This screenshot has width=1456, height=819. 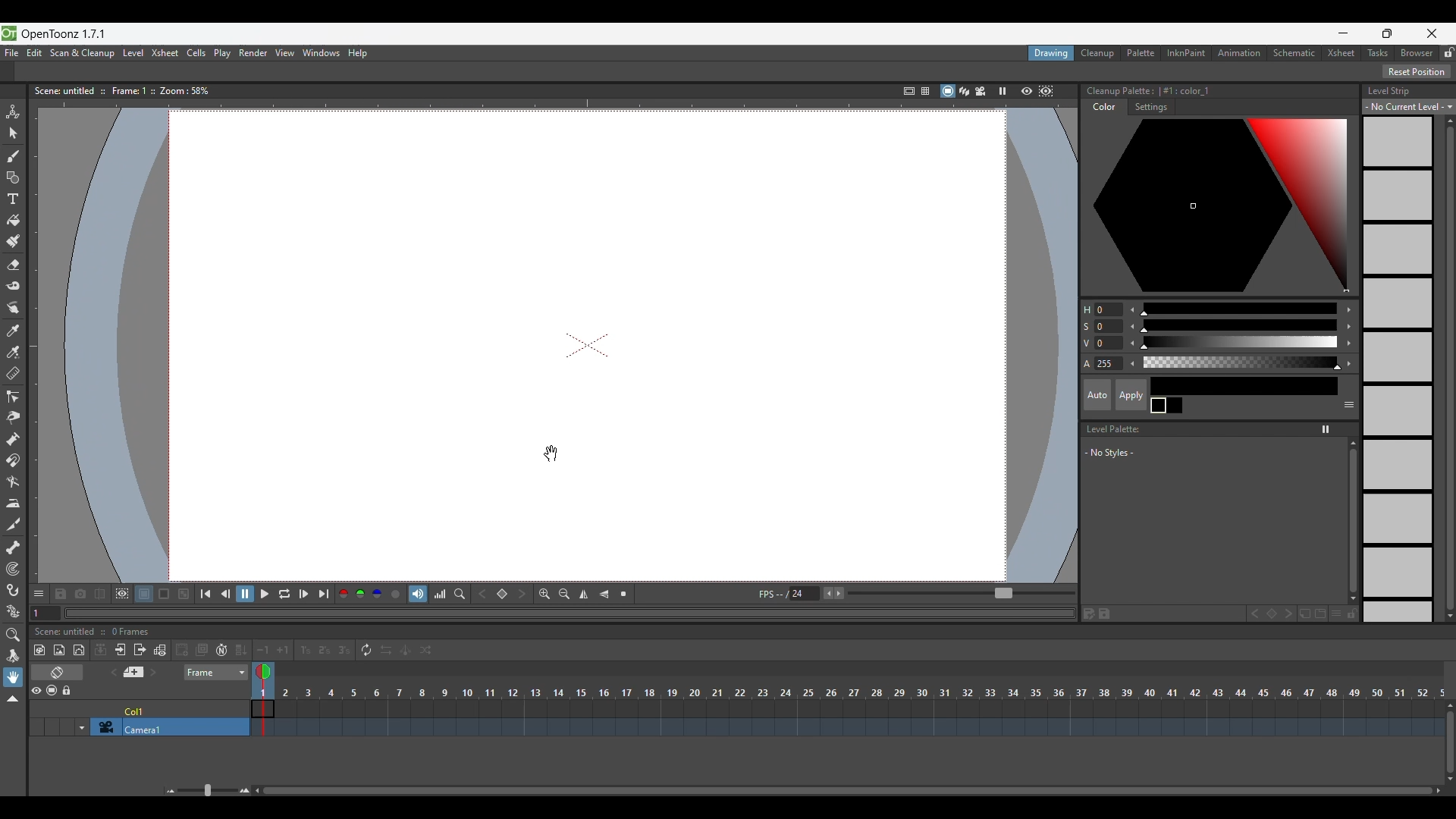 I want to click on Random, so click(x=425, y=650).